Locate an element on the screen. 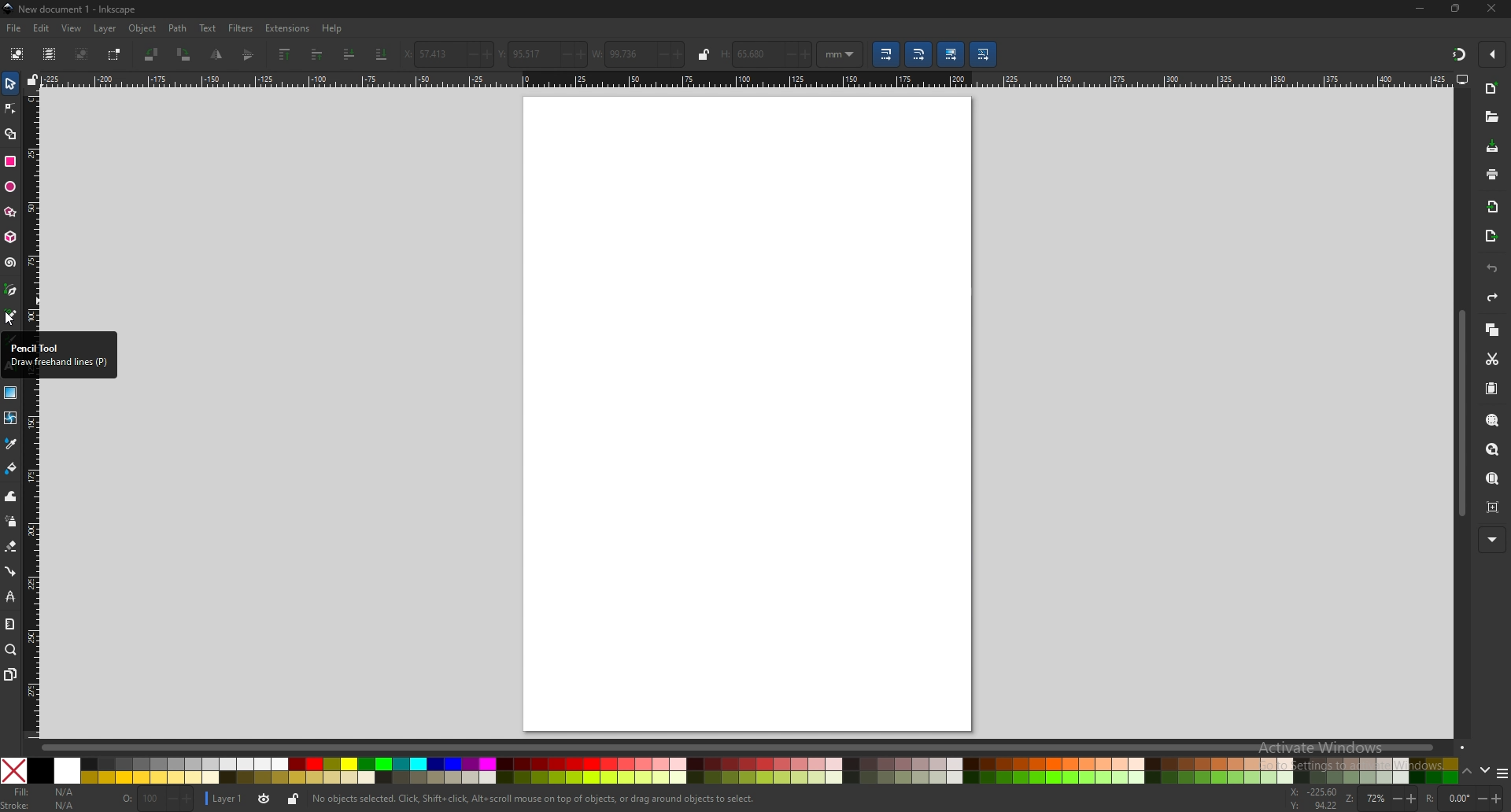 Image resolution: width=1511 pixels, height=812 pixels. gradient is located at coordinates (10, 392).